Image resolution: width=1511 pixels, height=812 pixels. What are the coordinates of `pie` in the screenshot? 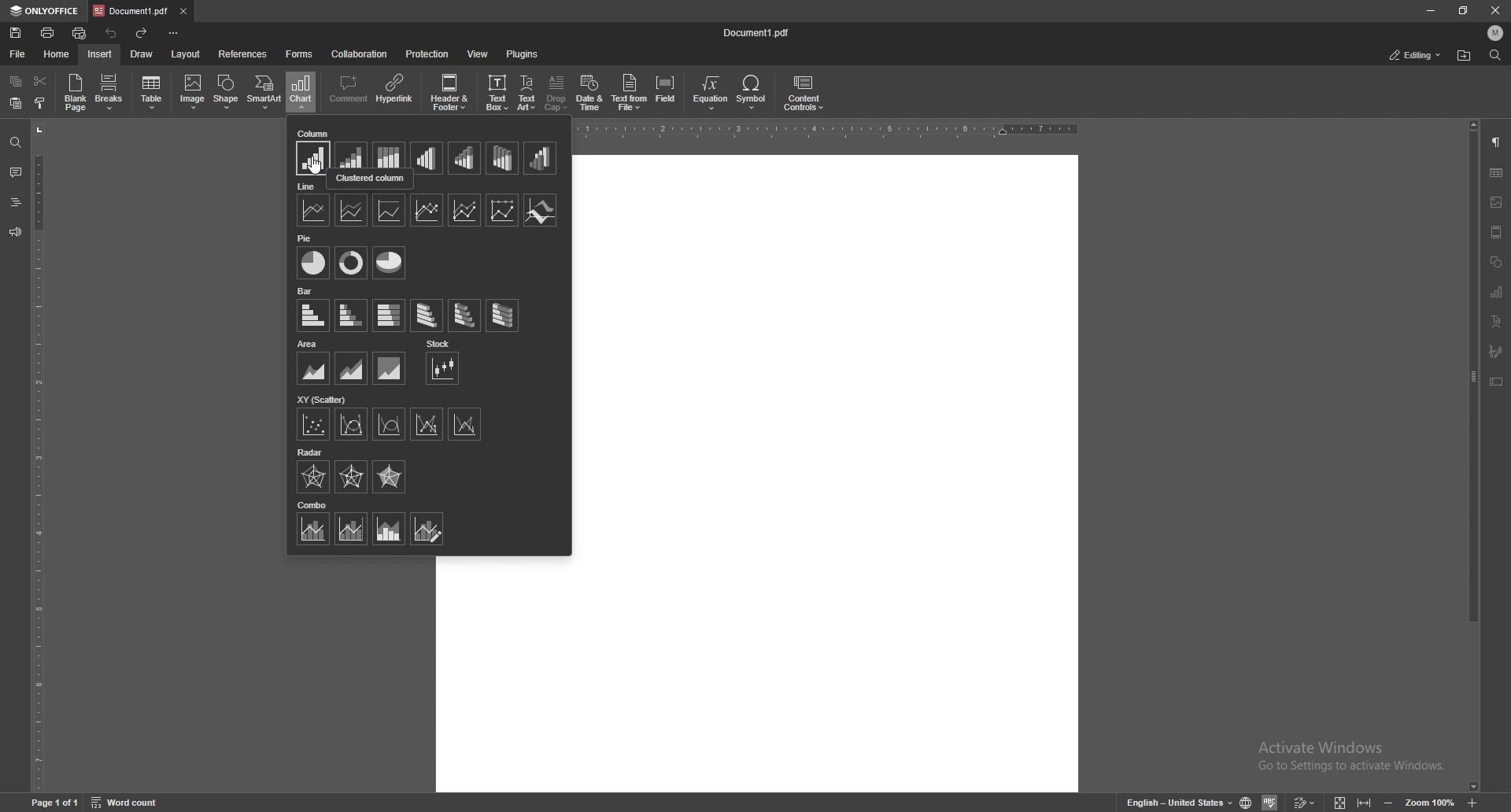 It's located at (313, 263).